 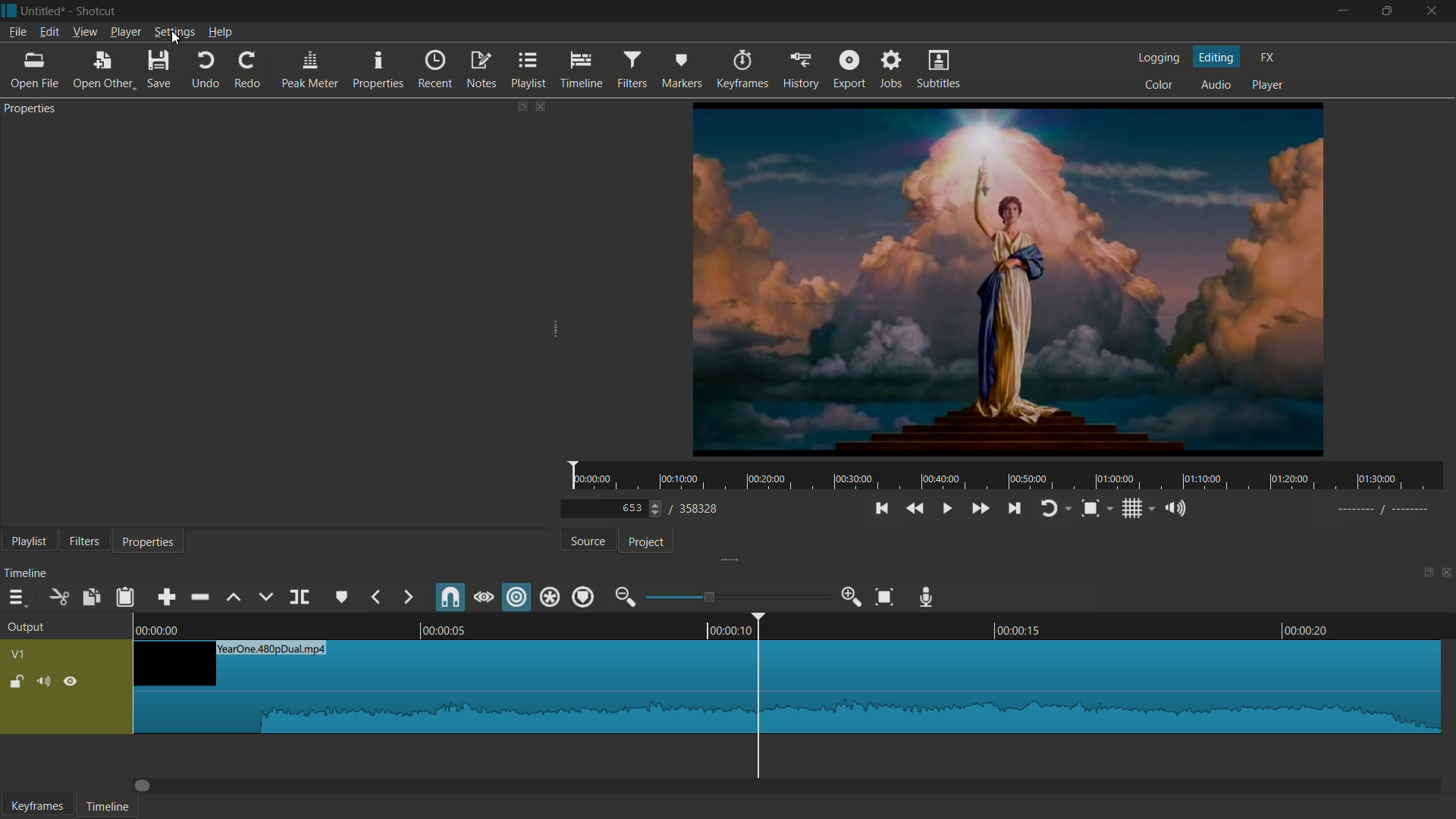 I want to click on cursor, so click(x=179, y=40).